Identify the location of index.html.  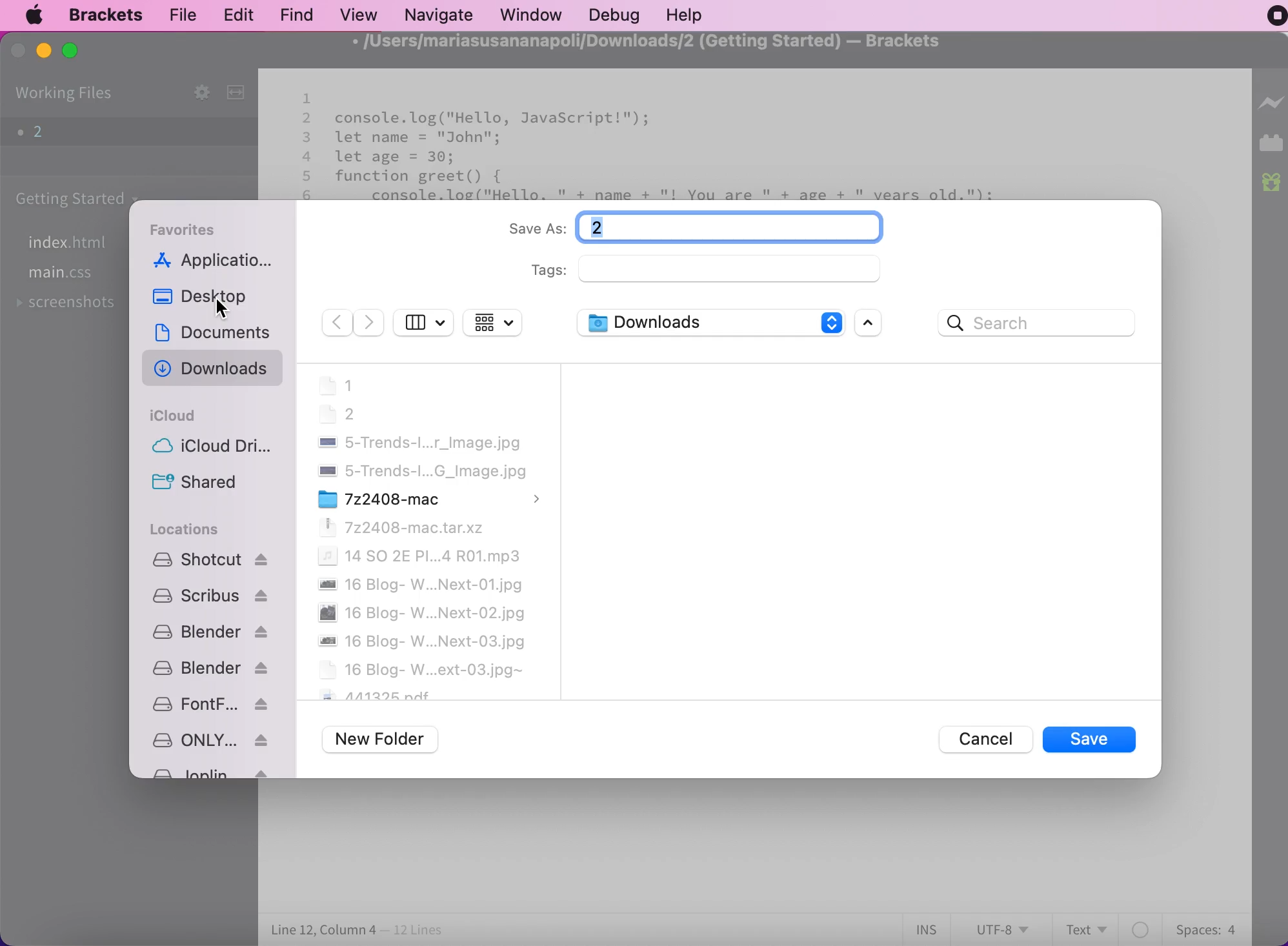
(74, 243).